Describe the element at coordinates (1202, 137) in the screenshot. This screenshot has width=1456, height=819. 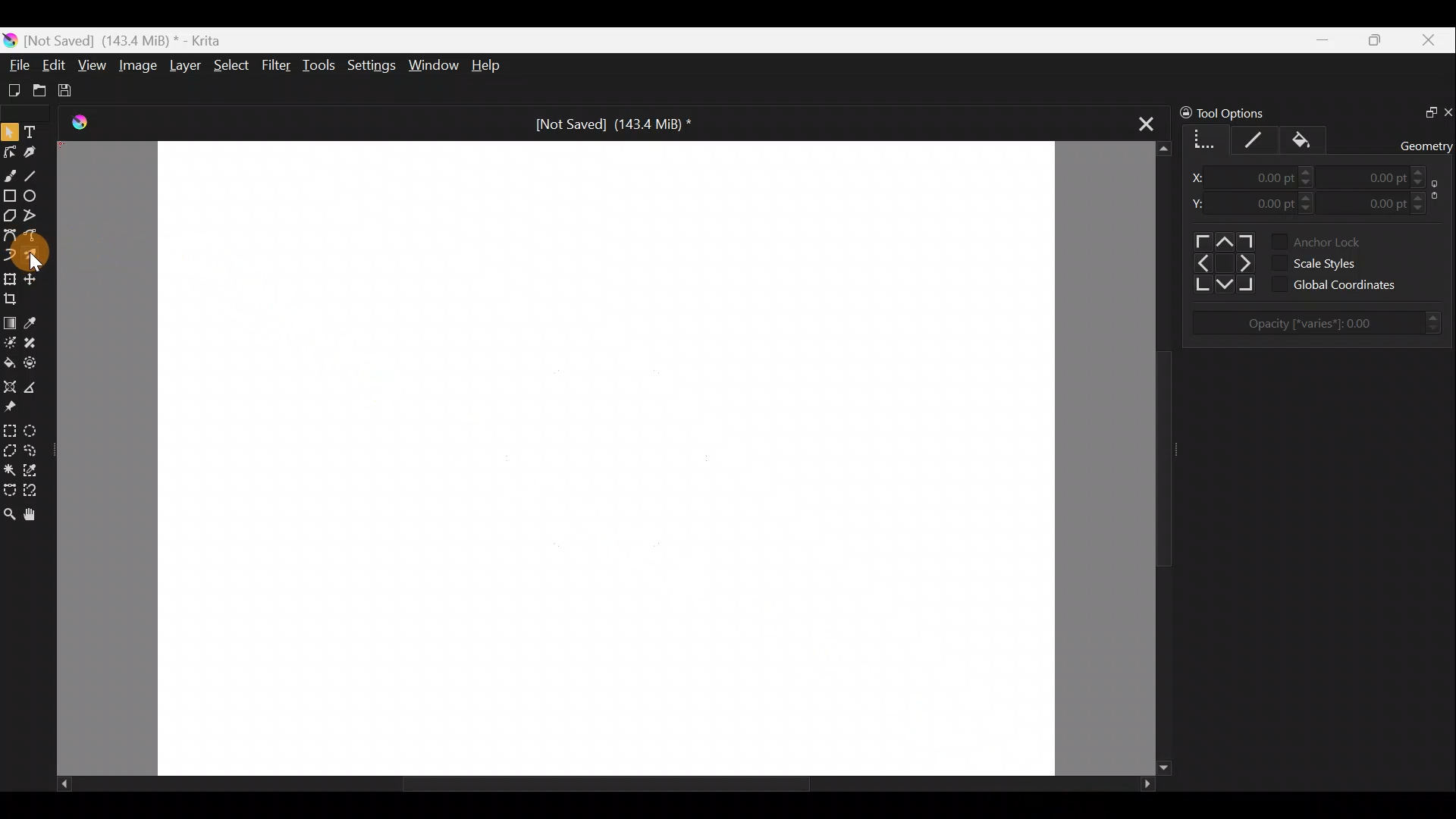
I see `Geometry` at that location.